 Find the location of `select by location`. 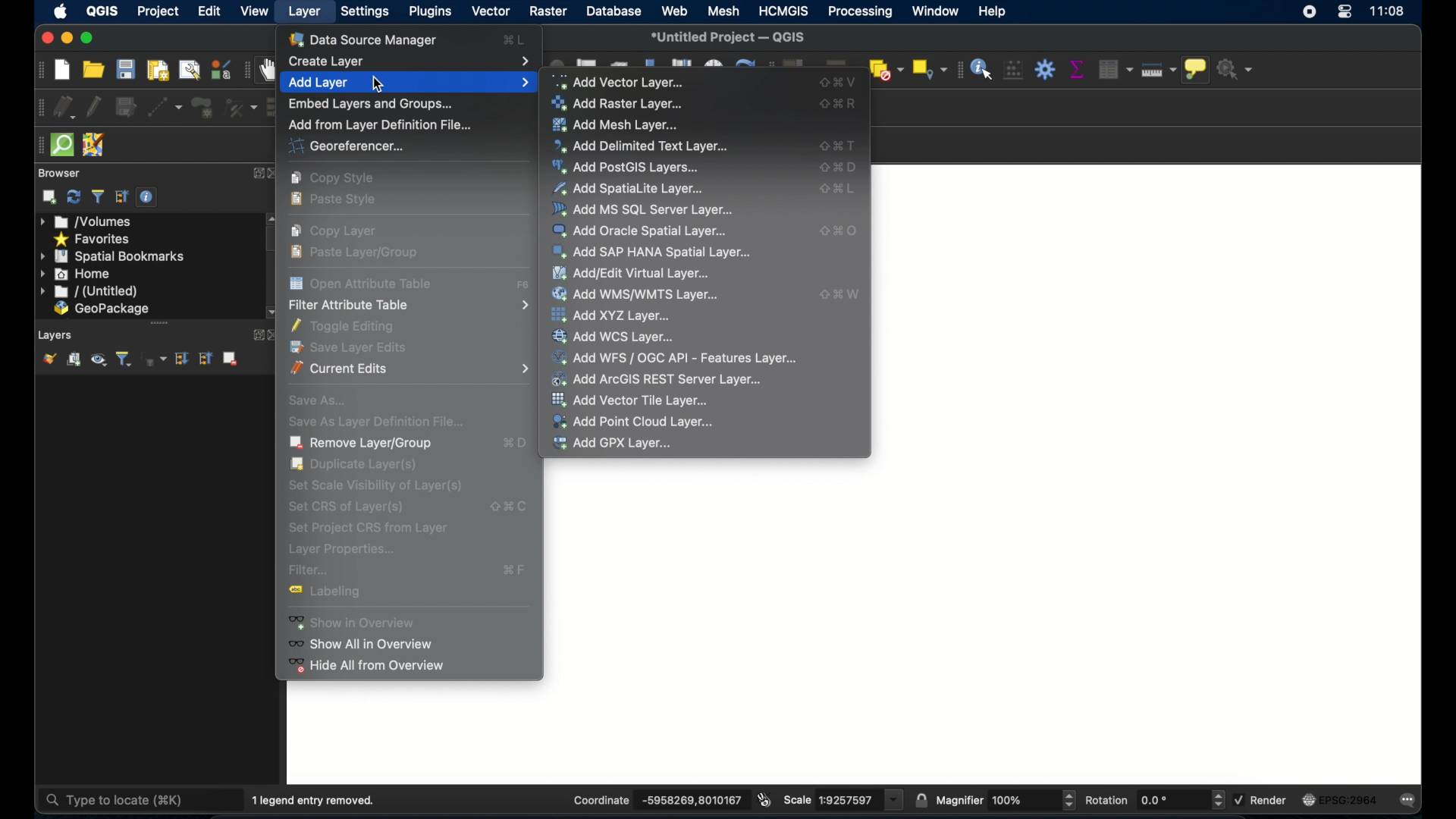

select by location is located at coordinates (927, 69).